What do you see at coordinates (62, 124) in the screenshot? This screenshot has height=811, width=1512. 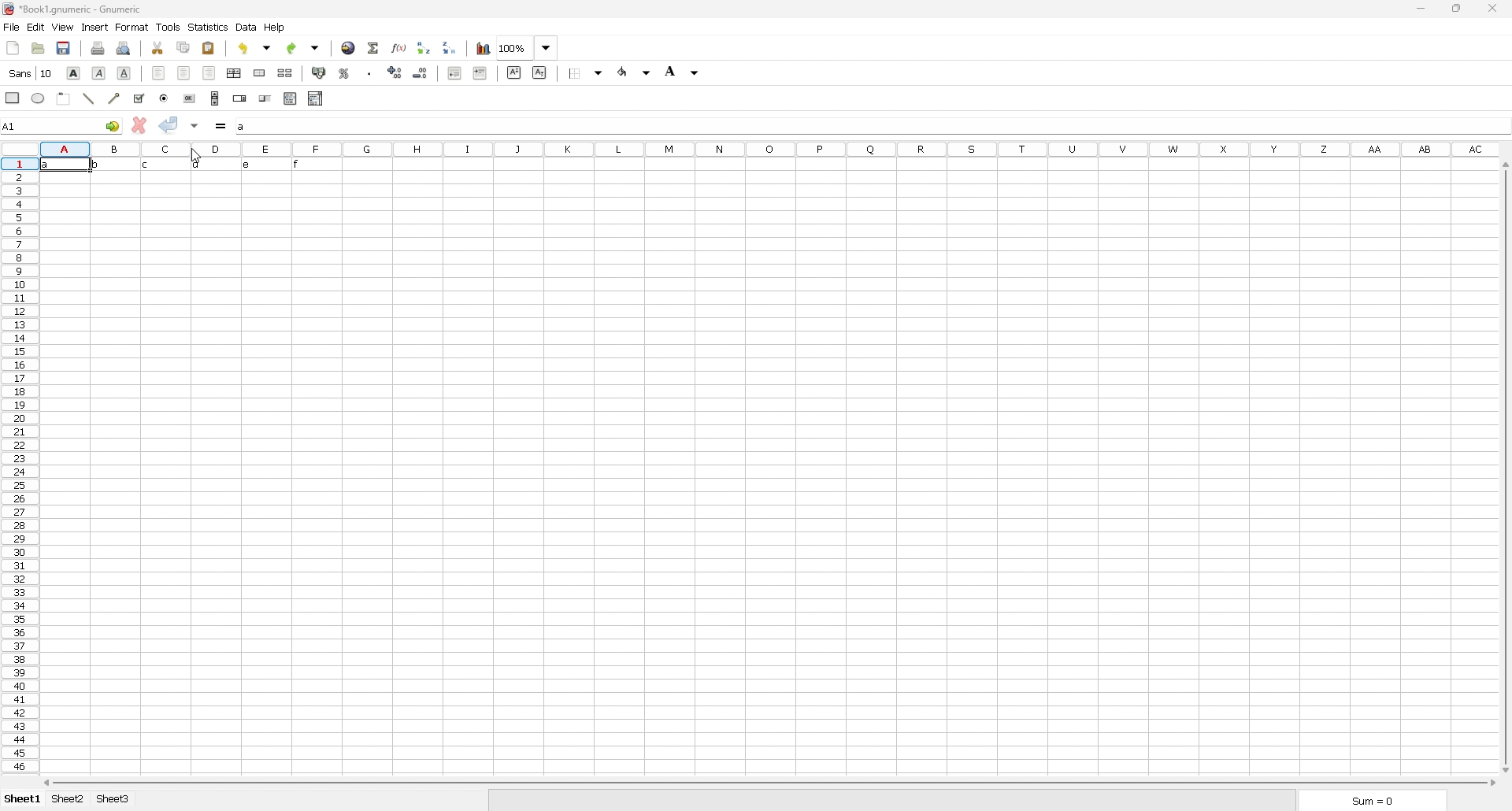 I see `selected cell` at bounding box center [62, 124].